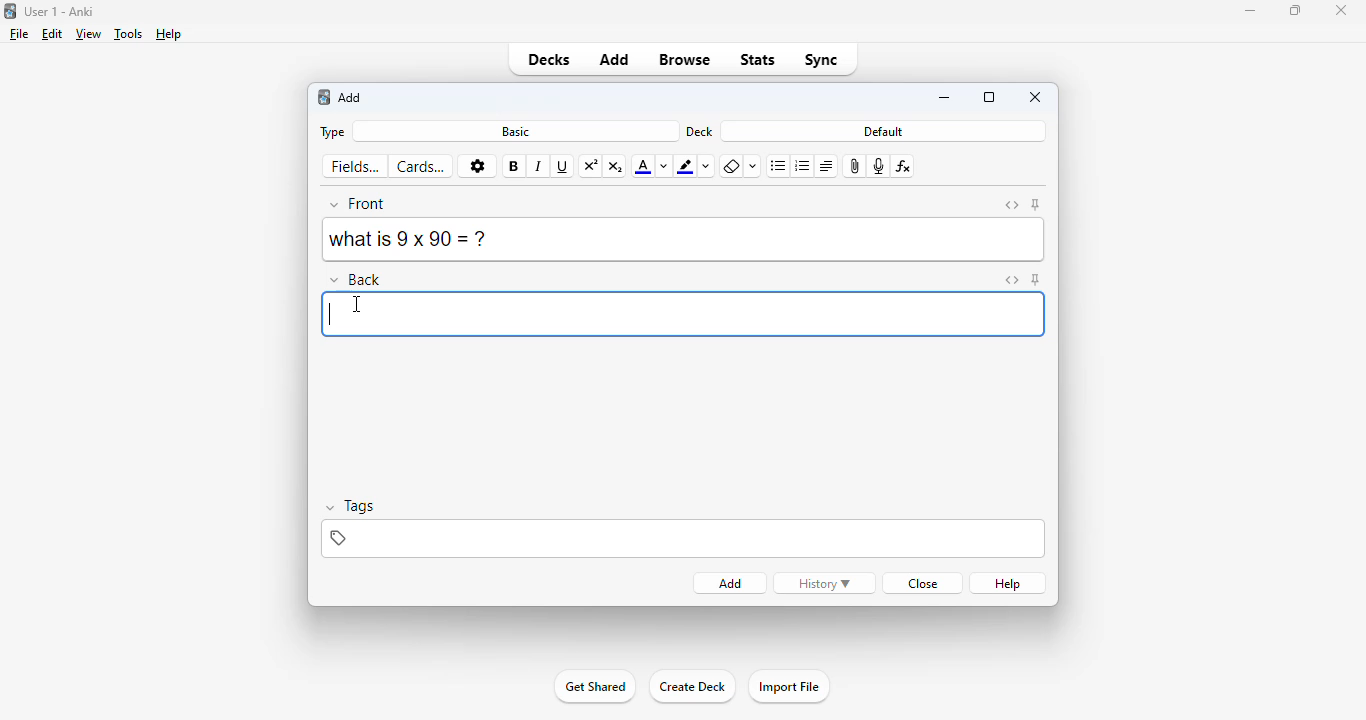 The height and width of the screenshot is (720, 1366). I want to click on add, so click(616, 58).